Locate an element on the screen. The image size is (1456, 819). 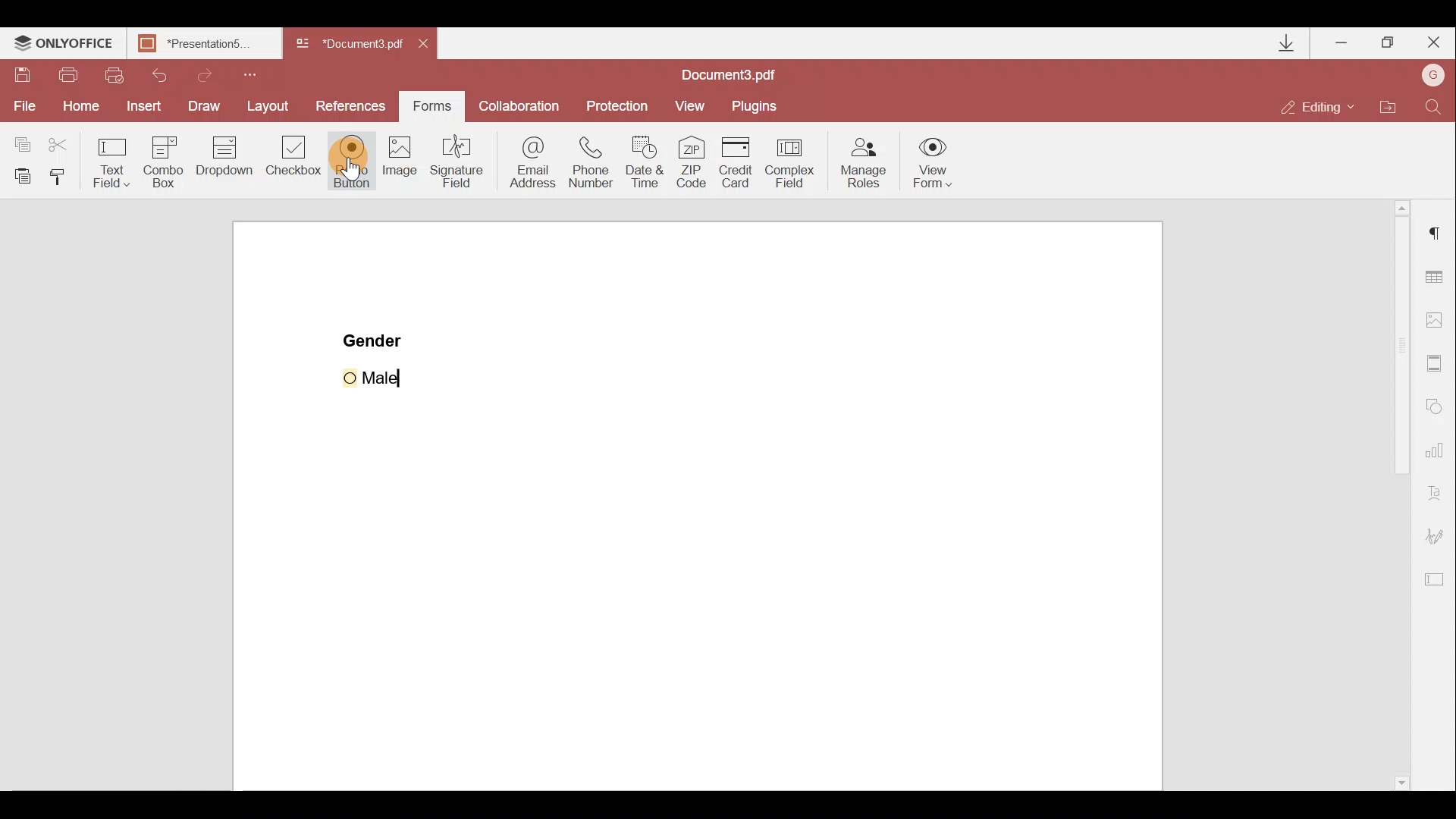
Image settings is located at coordinates (1442, 321).